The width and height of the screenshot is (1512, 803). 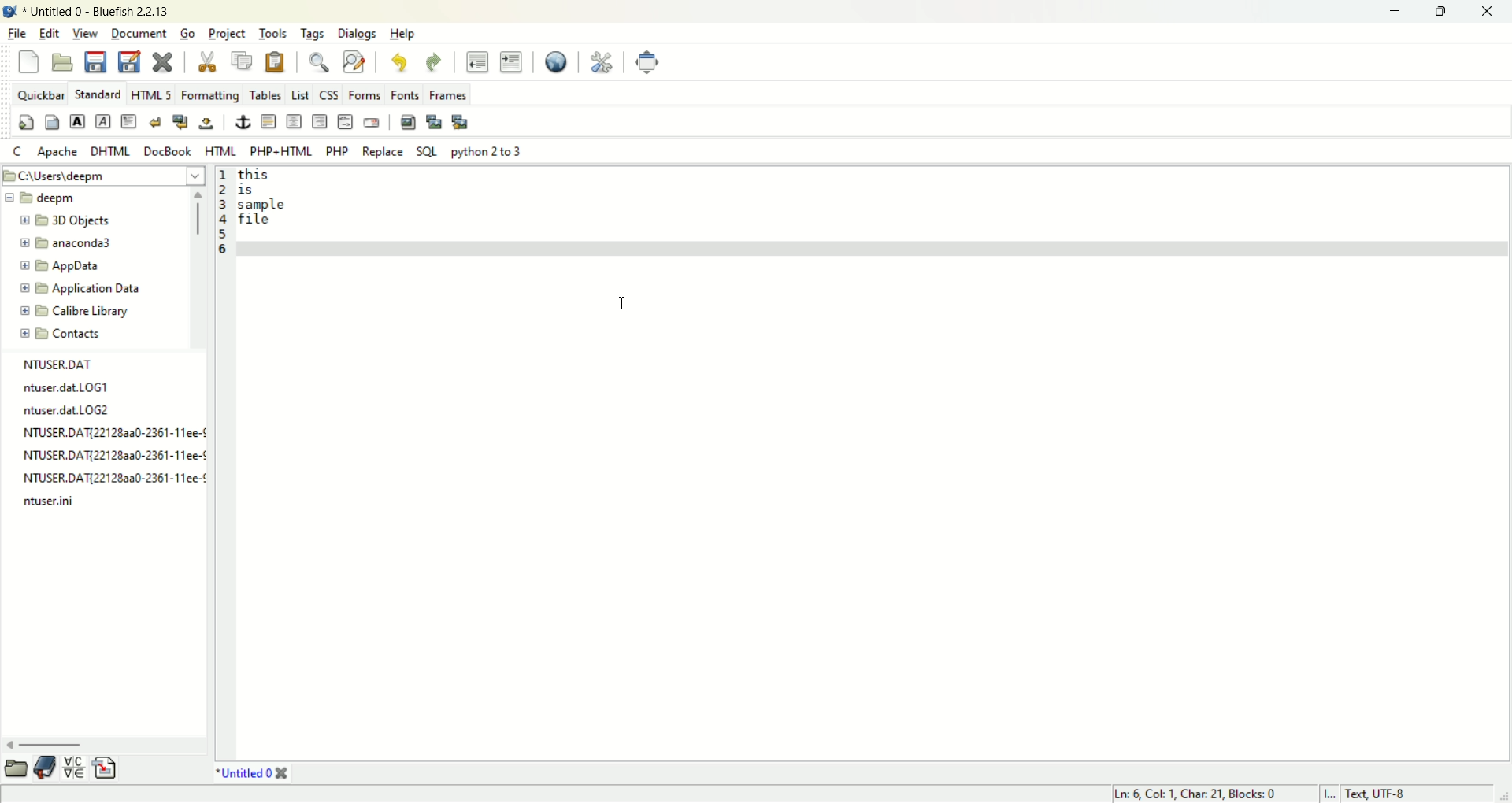 What do you see at coordinates (511, 58) in the screenshot?
I see `indent` at bounding box center [511, 58].